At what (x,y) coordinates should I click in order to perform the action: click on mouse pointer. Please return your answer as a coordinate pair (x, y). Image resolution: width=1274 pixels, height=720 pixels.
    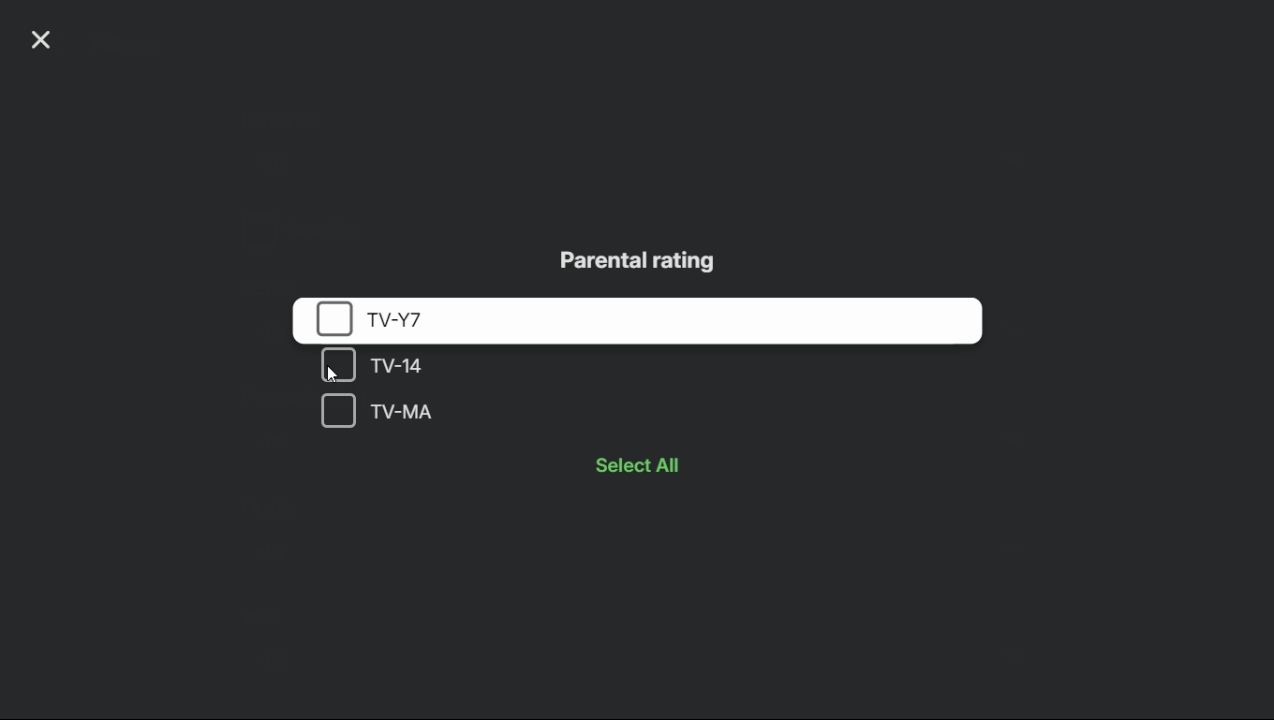
    Looking at the image, I should click on (334, 374).